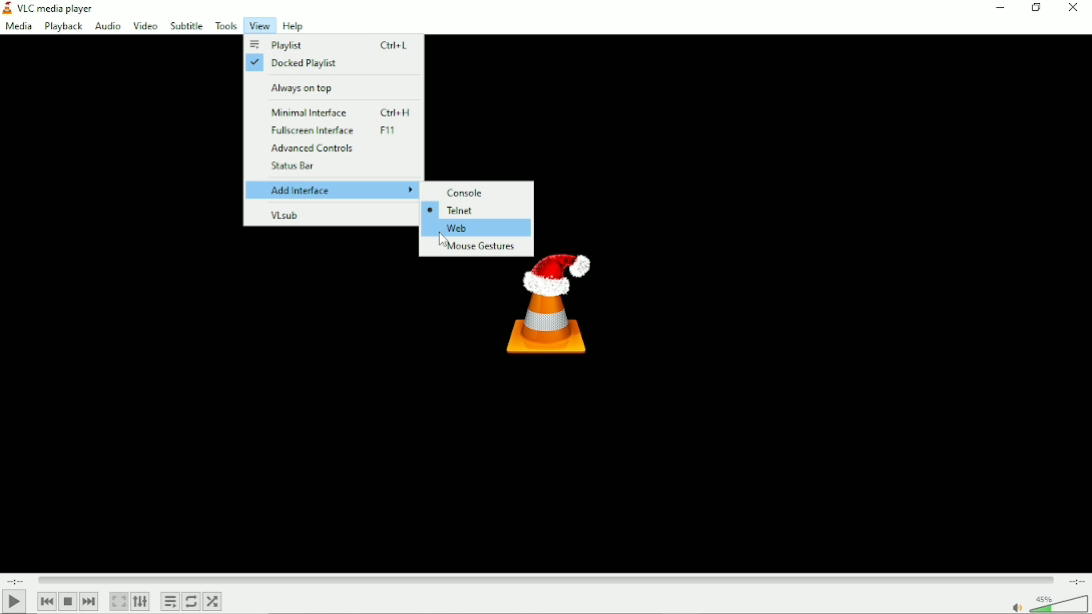  Describe the element at coordinates (468, 192) in the screenshot. I see `Console` at that location.